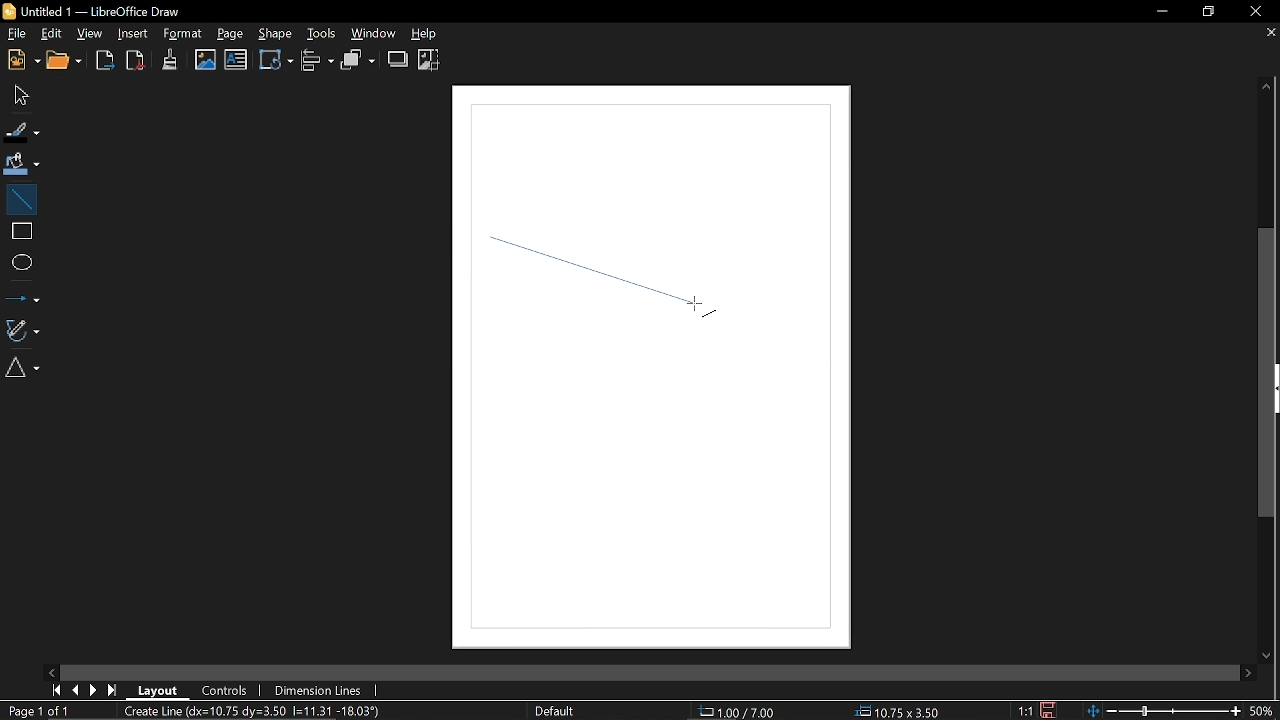 This screenshot has width=1280, height=720. What do you see at coordinates (397, 59) in the screenshot?
I see `Shadow` at bounding box center [397, 59].